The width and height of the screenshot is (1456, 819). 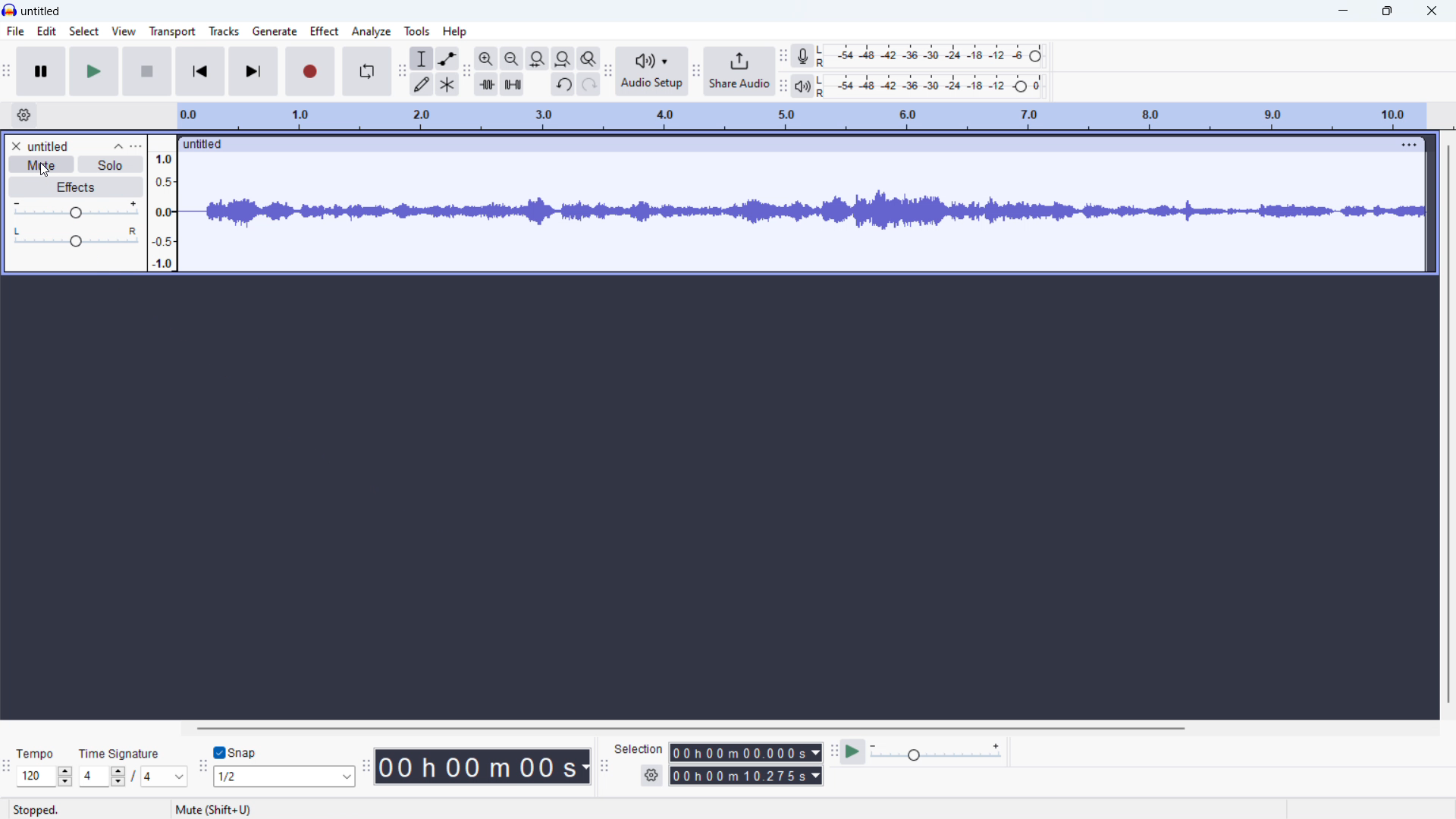 What do you see at coordinates (1342, 11) in the screenshot?
I see `minimize` at bounding box center [1342, 11].